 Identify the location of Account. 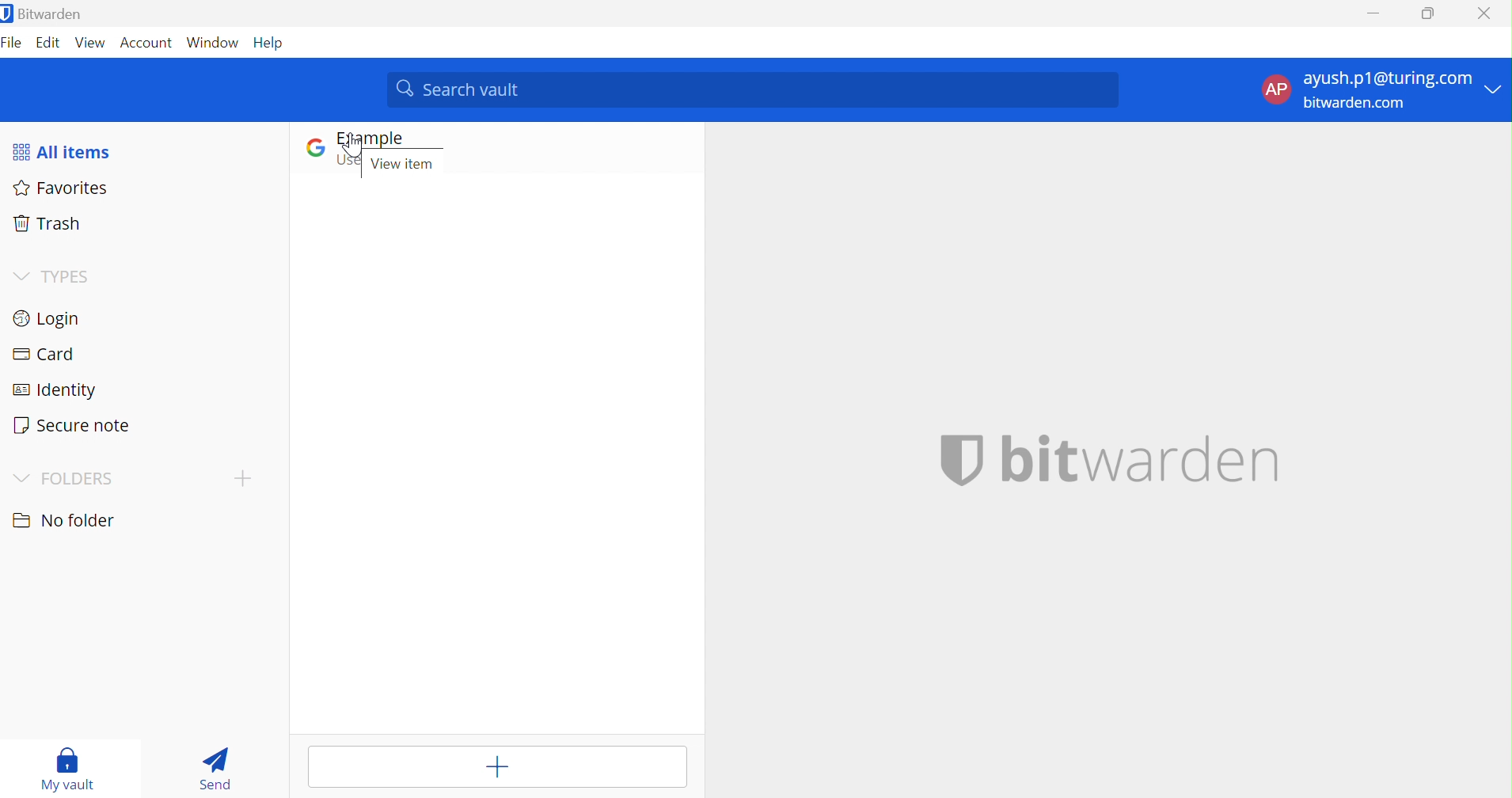
(146, 42).